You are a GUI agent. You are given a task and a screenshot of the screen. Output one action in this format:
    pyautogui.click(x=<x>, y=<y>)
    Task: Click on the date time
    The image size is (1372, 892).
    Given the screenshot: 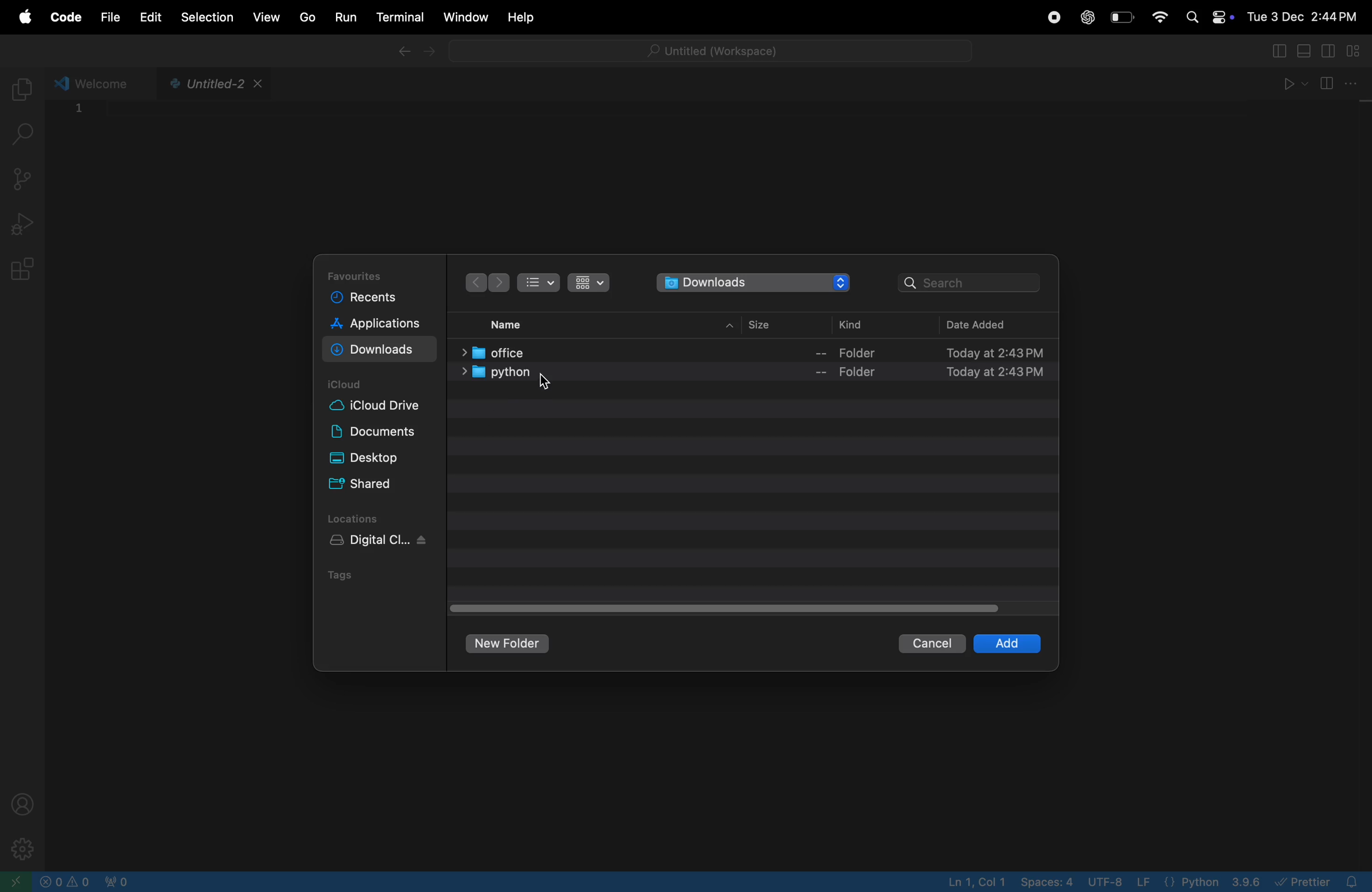 What is the action you would take?
    pyautogui.click(x=987, y=376)
    